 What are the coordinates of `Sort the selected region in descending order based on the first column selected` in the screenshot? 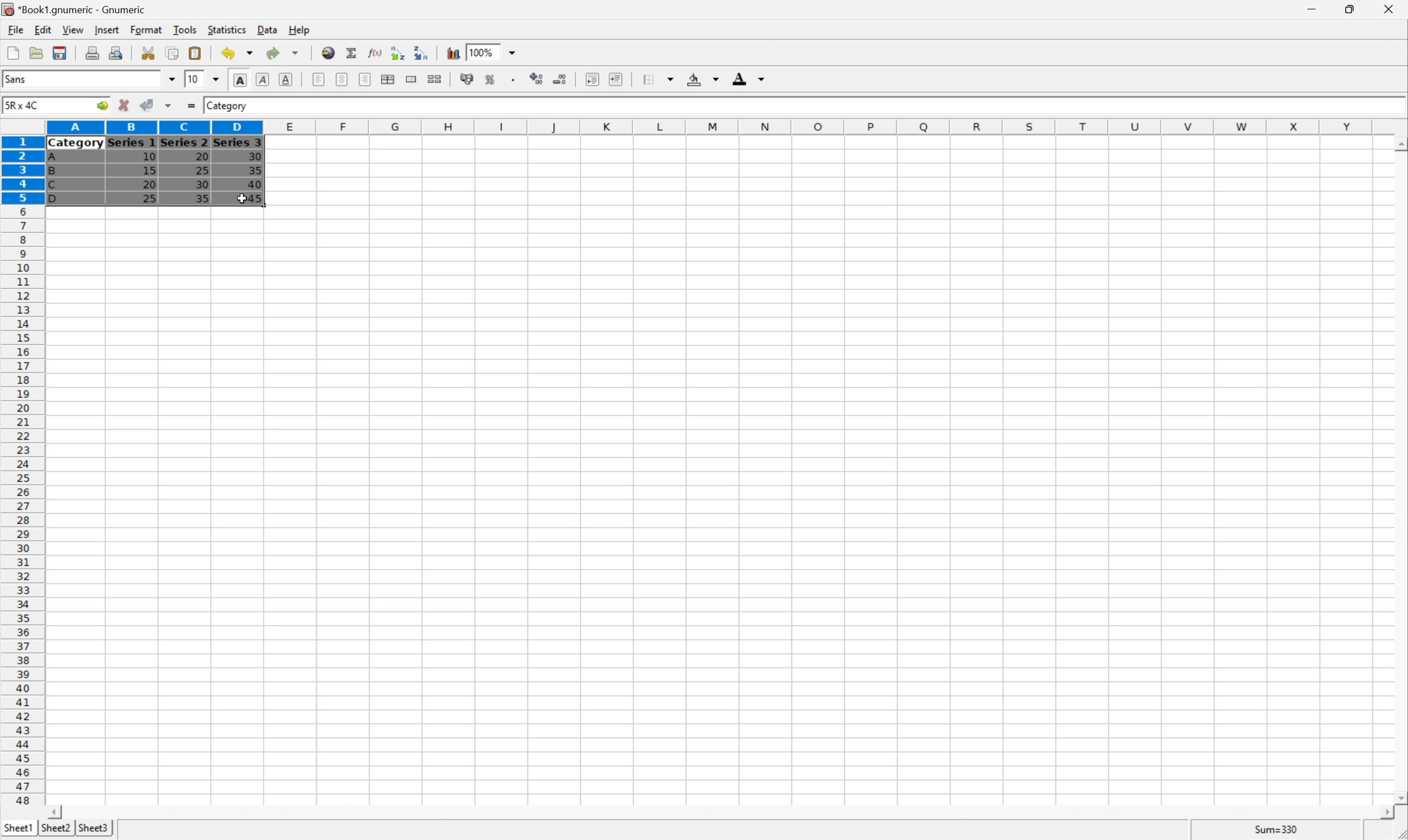 It's located at (420, 52).